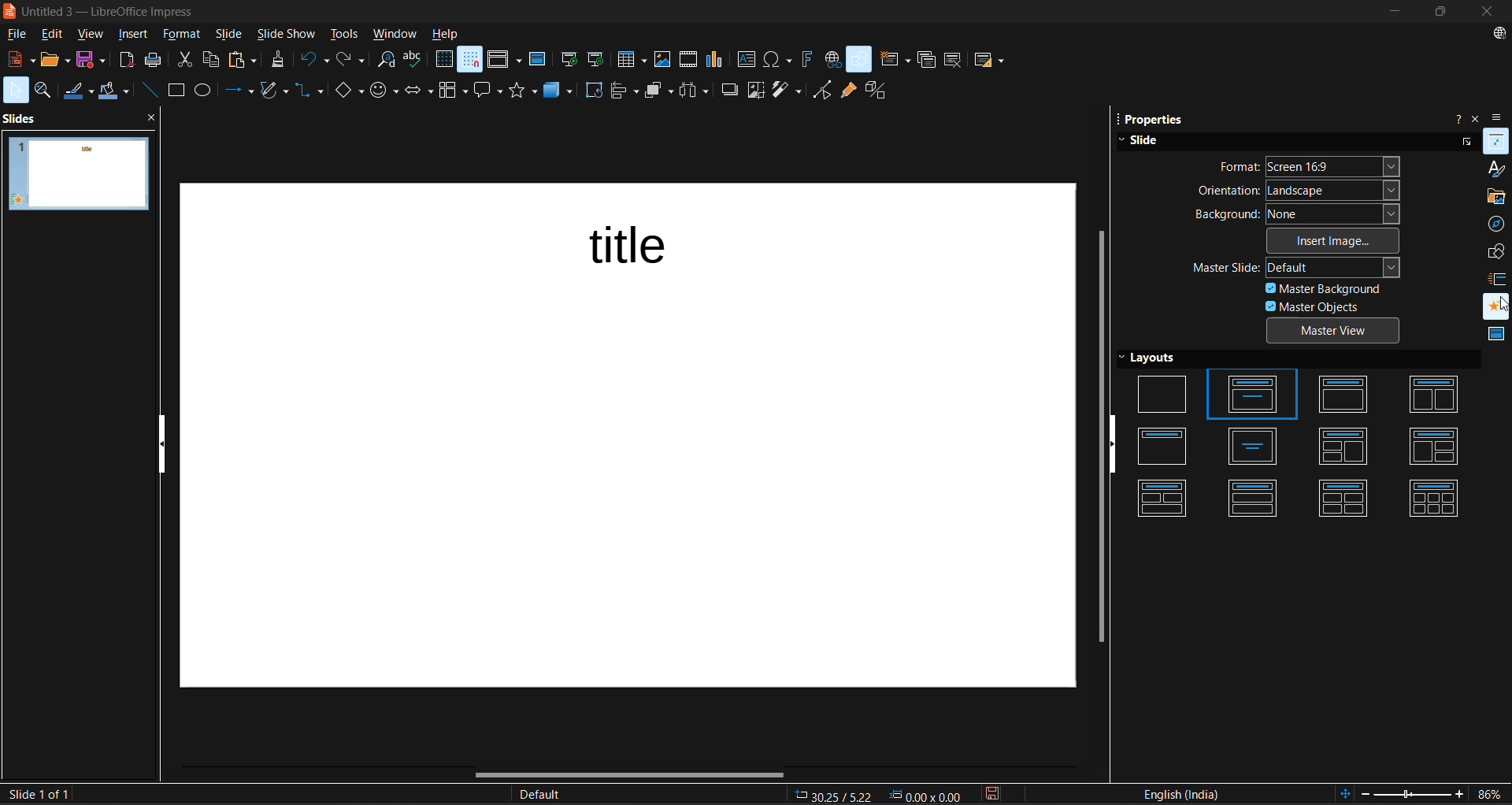  What do you see at coordinates (1493, 335) in the screenshot?
I see `master slides` at bounding box center [1493, 335].